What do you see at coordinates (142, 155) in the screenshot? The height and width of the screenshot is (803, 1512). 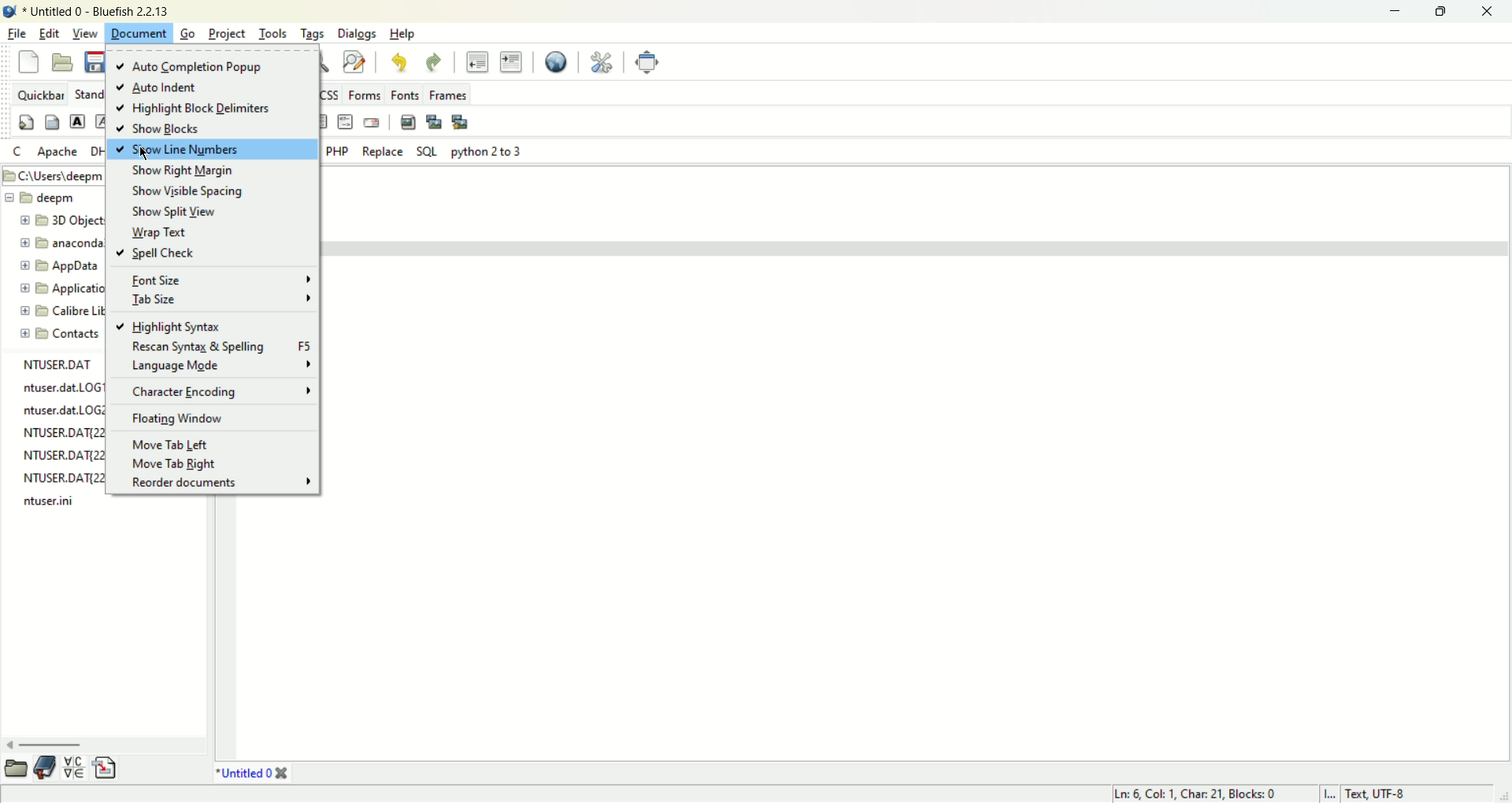 I see `cursor ` at bounding box center [142, 155].